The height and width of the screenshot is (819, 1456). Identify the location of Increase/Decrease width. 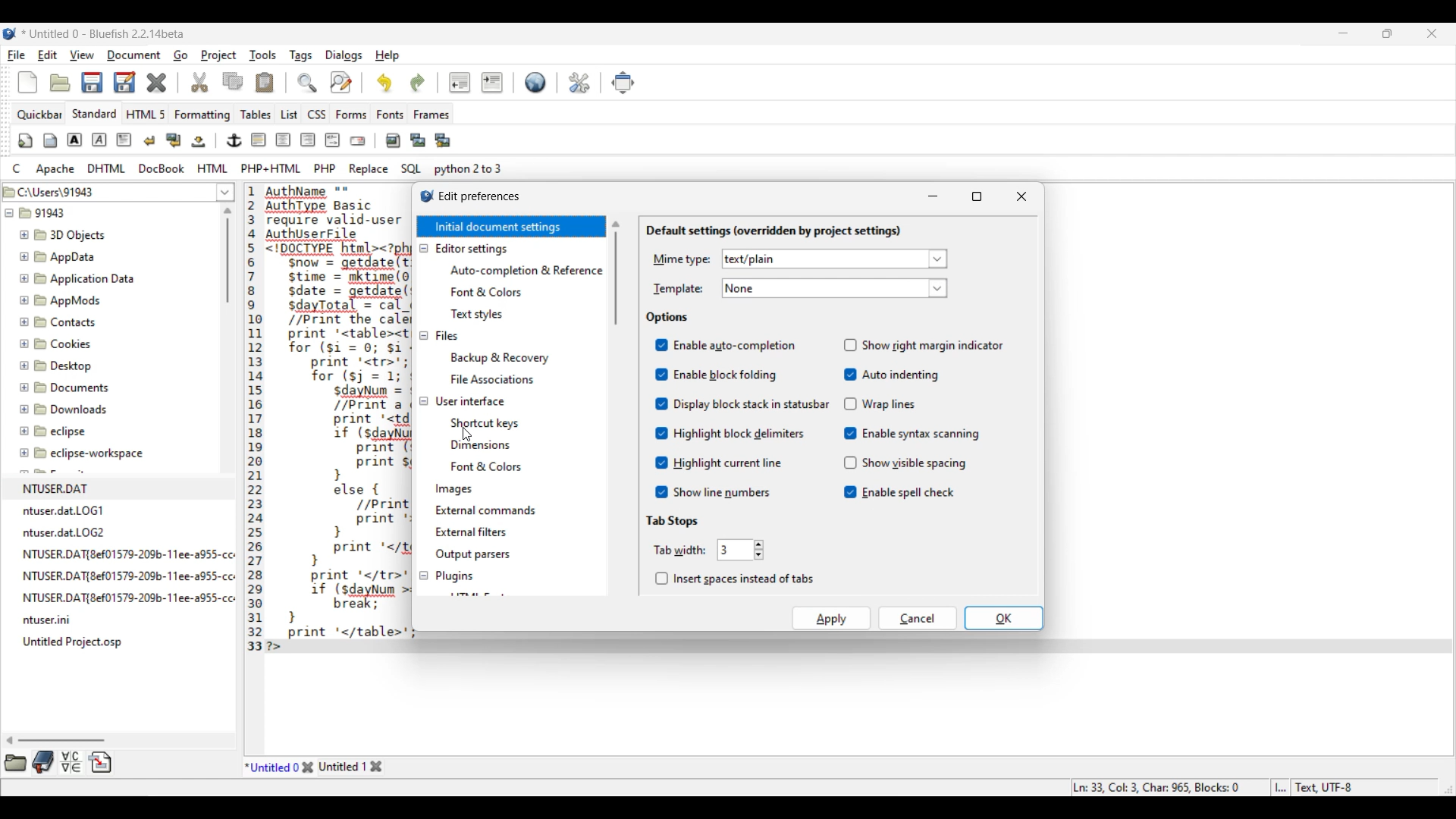
(759, 550).